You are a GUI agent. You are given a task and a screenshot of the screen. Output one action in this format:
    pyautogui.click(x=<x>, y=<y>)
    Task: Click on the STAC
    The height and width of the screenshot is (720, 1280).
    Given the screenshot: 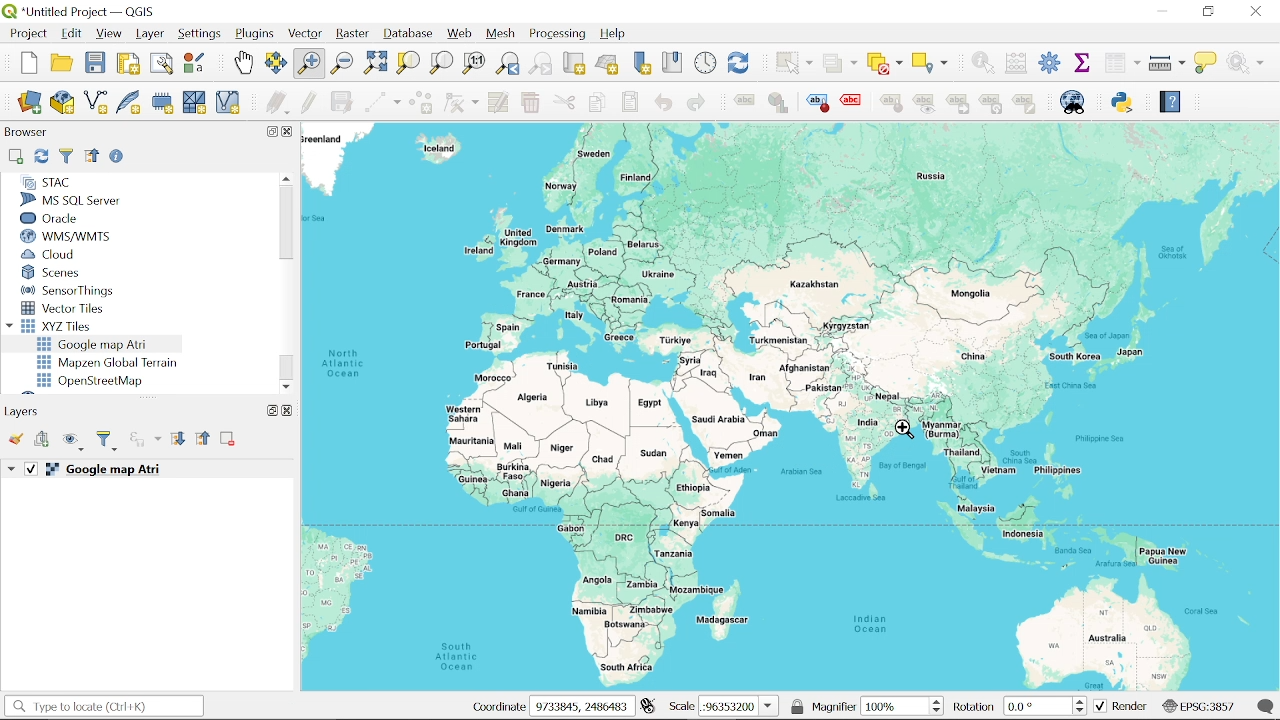 What is the action you would take?
    pyautogui.click(x=46, y=182)
    